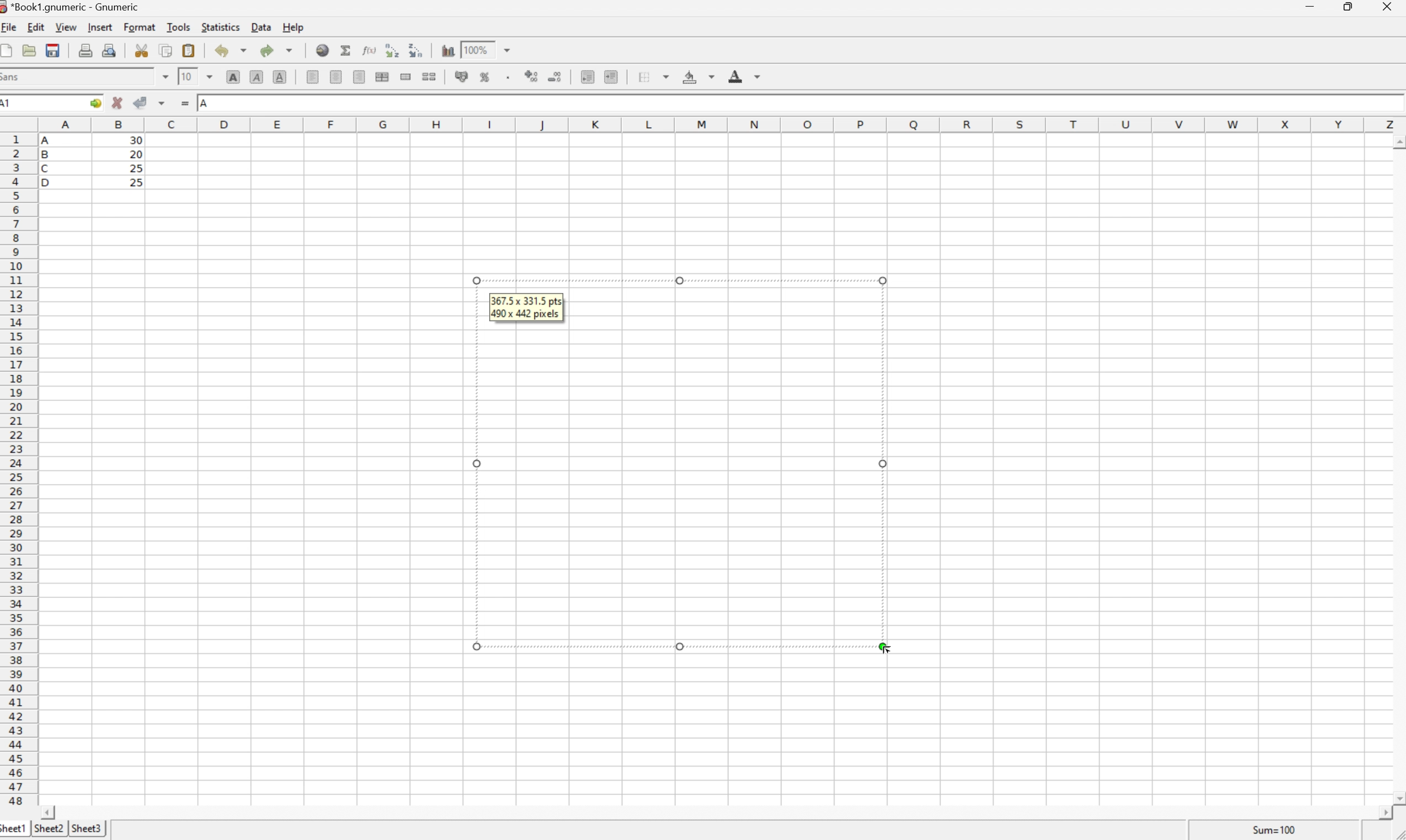 This screenshot has width=1406, height=840. Describe the element at coordinates (88, 827) in the screenshot. I see `Sheet3` at that location.